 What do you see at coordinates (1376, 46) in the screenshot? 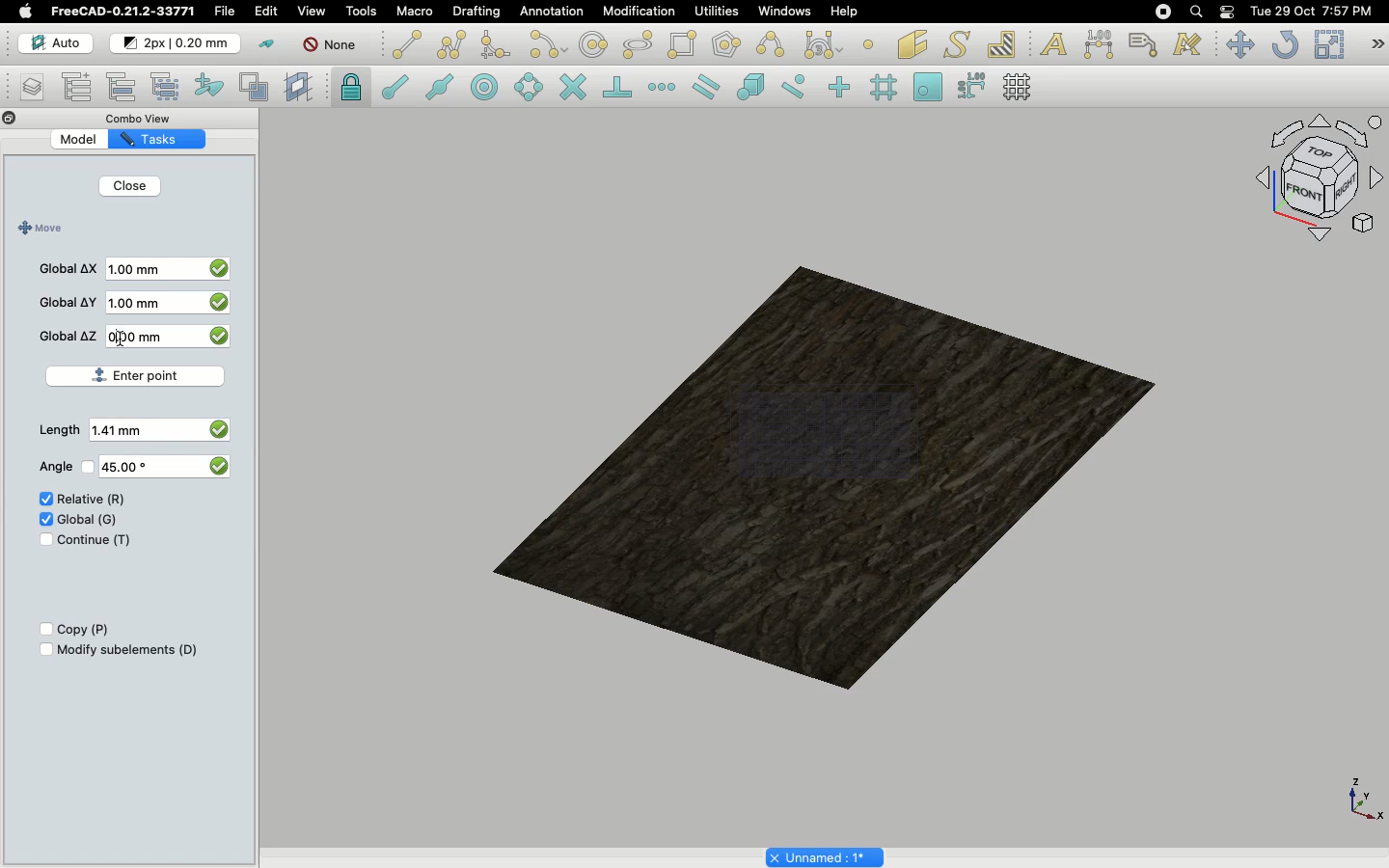
I see `Draft modification tools` at bounding box center [1376, 46].